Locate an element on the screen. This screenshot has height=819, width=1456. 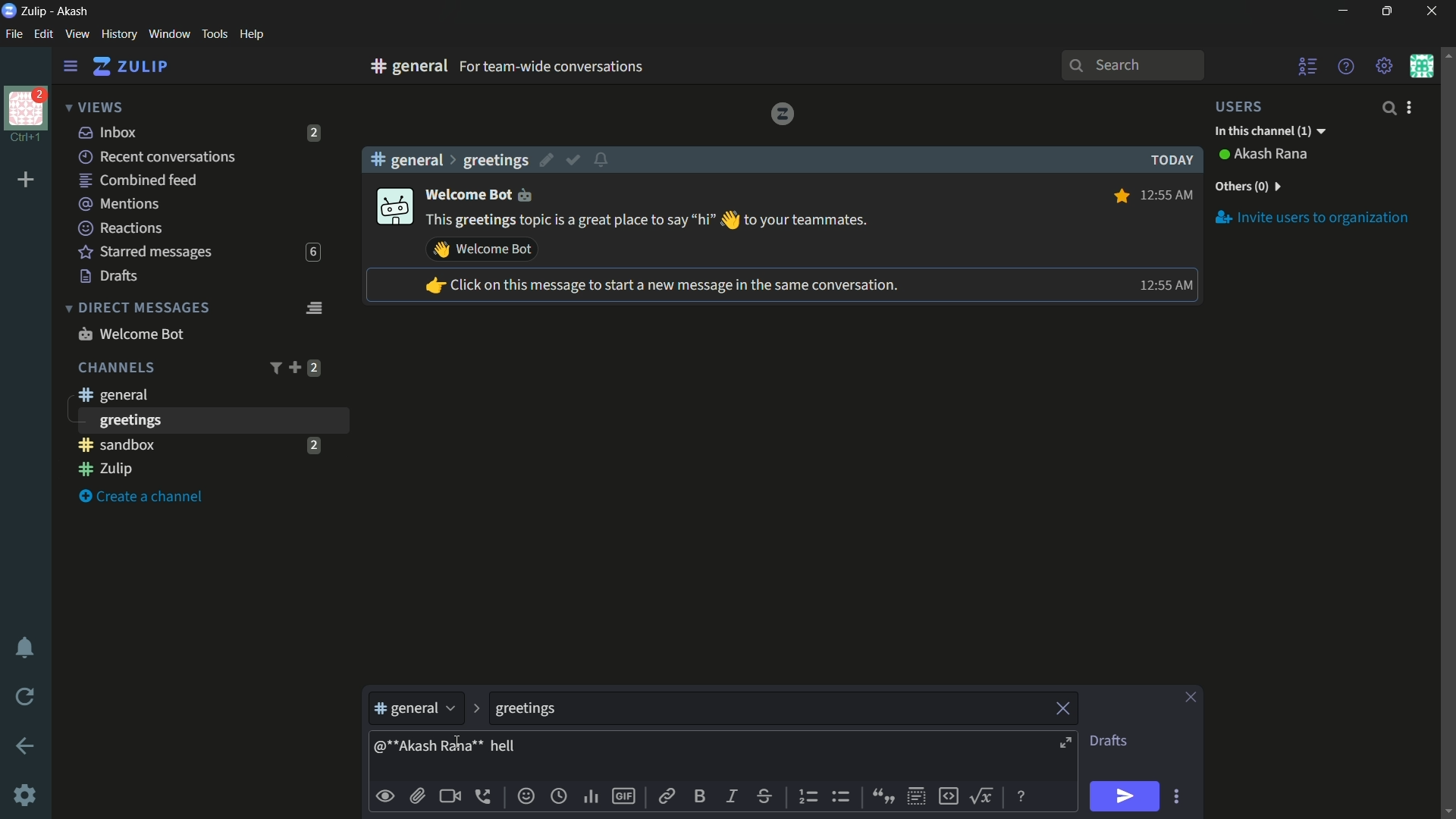
spoiler is located at coordinates (916, 797).